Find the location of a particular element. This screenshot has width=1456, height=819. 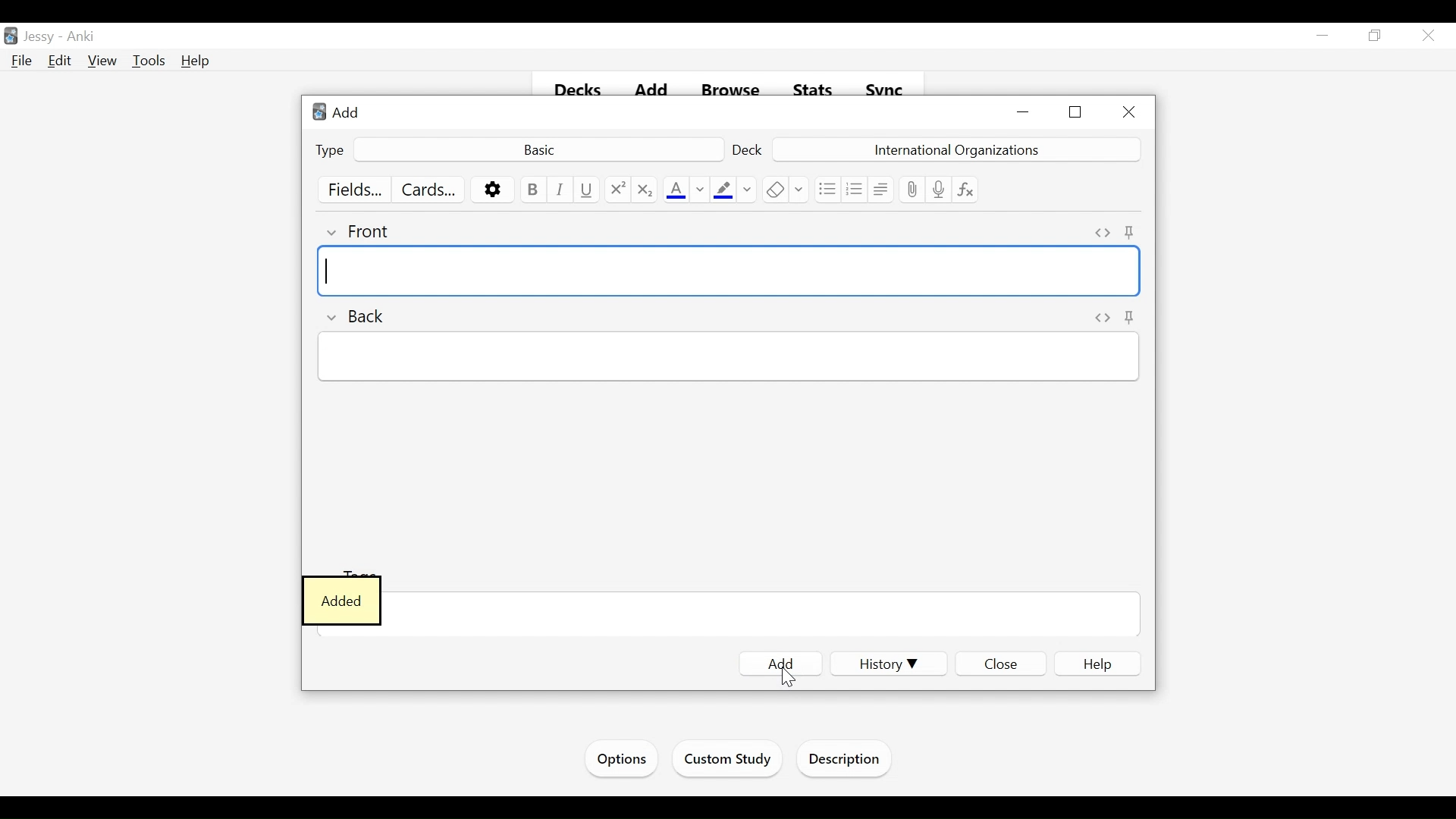

Record audio is located at coordinates (938, 190).